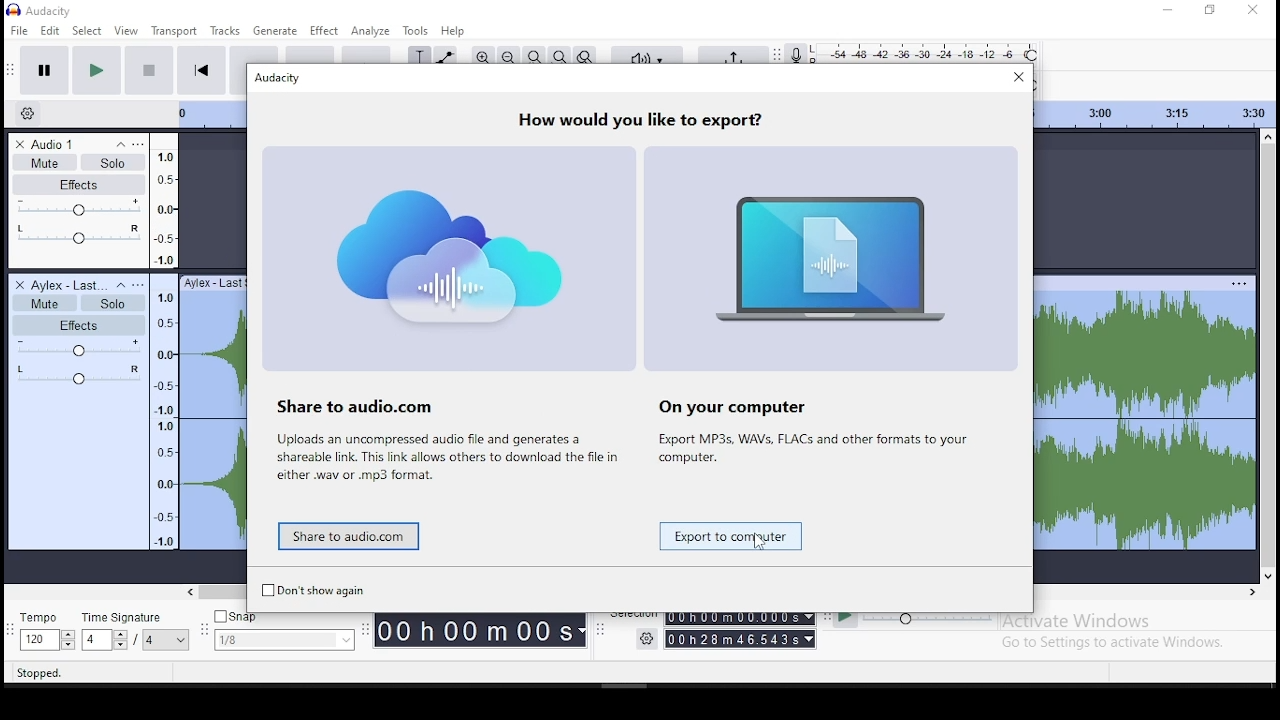 Image resolution: width=1280 pixels, height=720 pixels. I want to click on delete track, so click(18, 284).